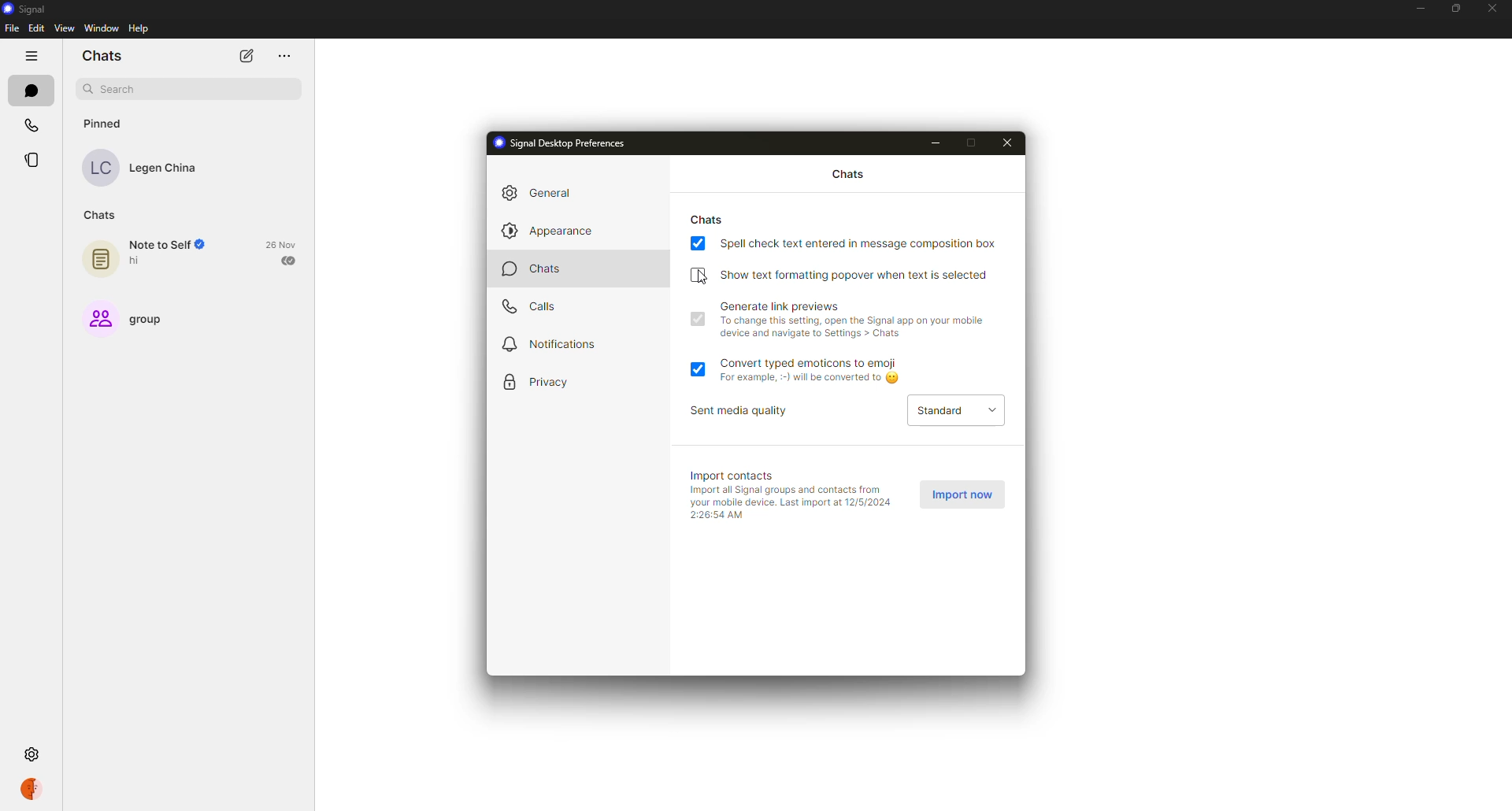 This screenshot has width=1512, height=811. Describe the element at coordinates (1493, 8) in the screenshot. I see `close` at that location.